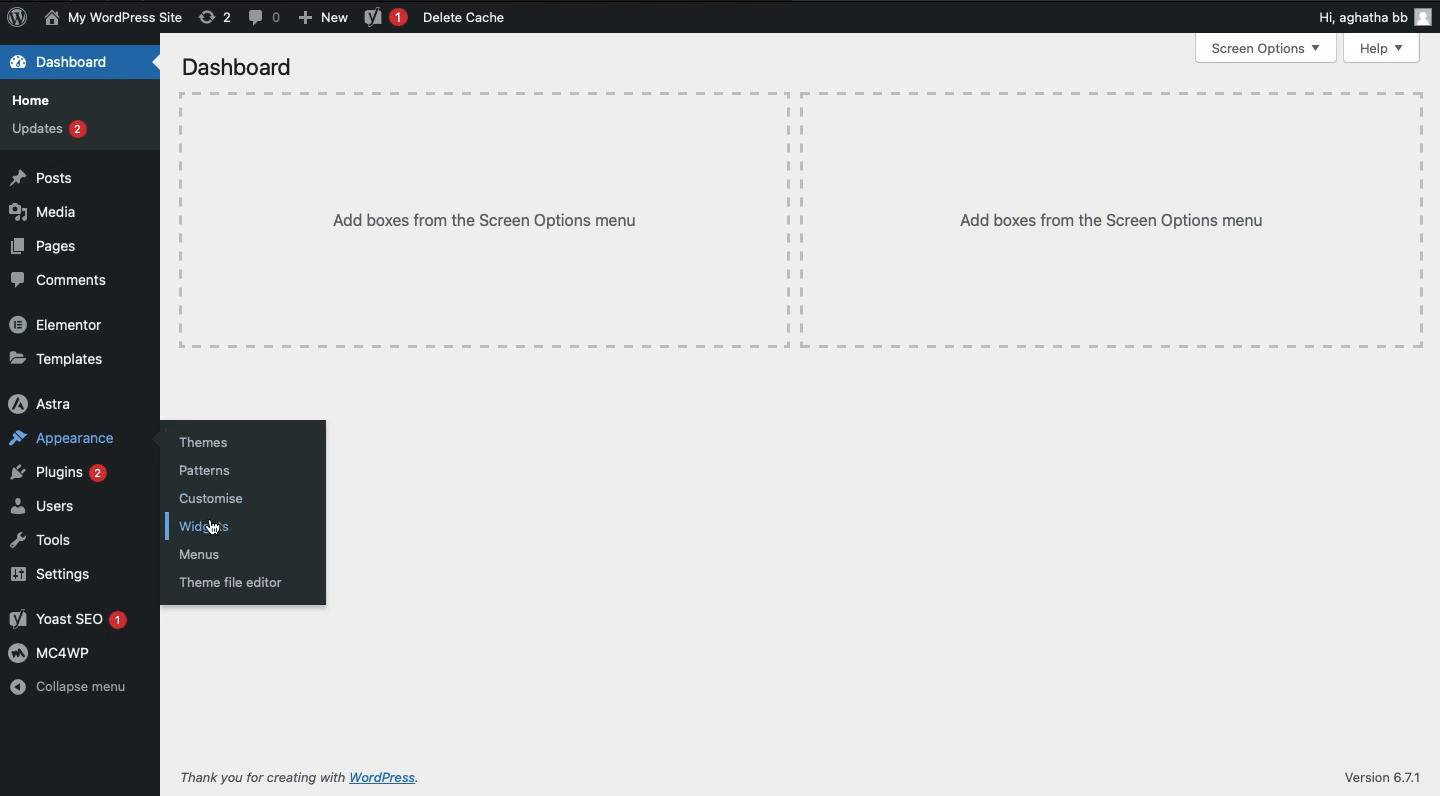 Image resolution: width=1440 pixels, height=796 pixels. I want to click on Templates, so click(56, 358).